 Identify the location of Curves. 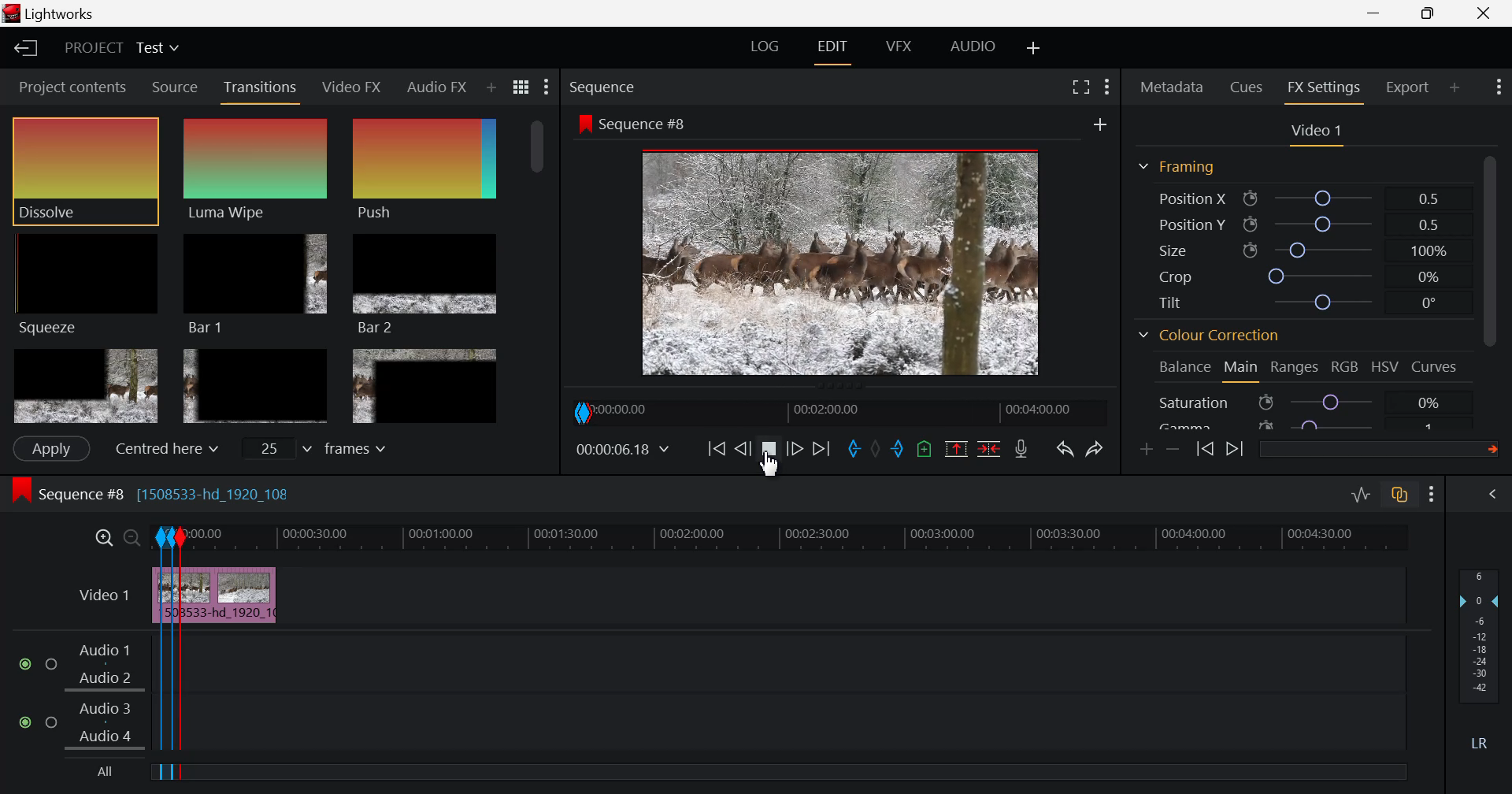
(1436, 367).